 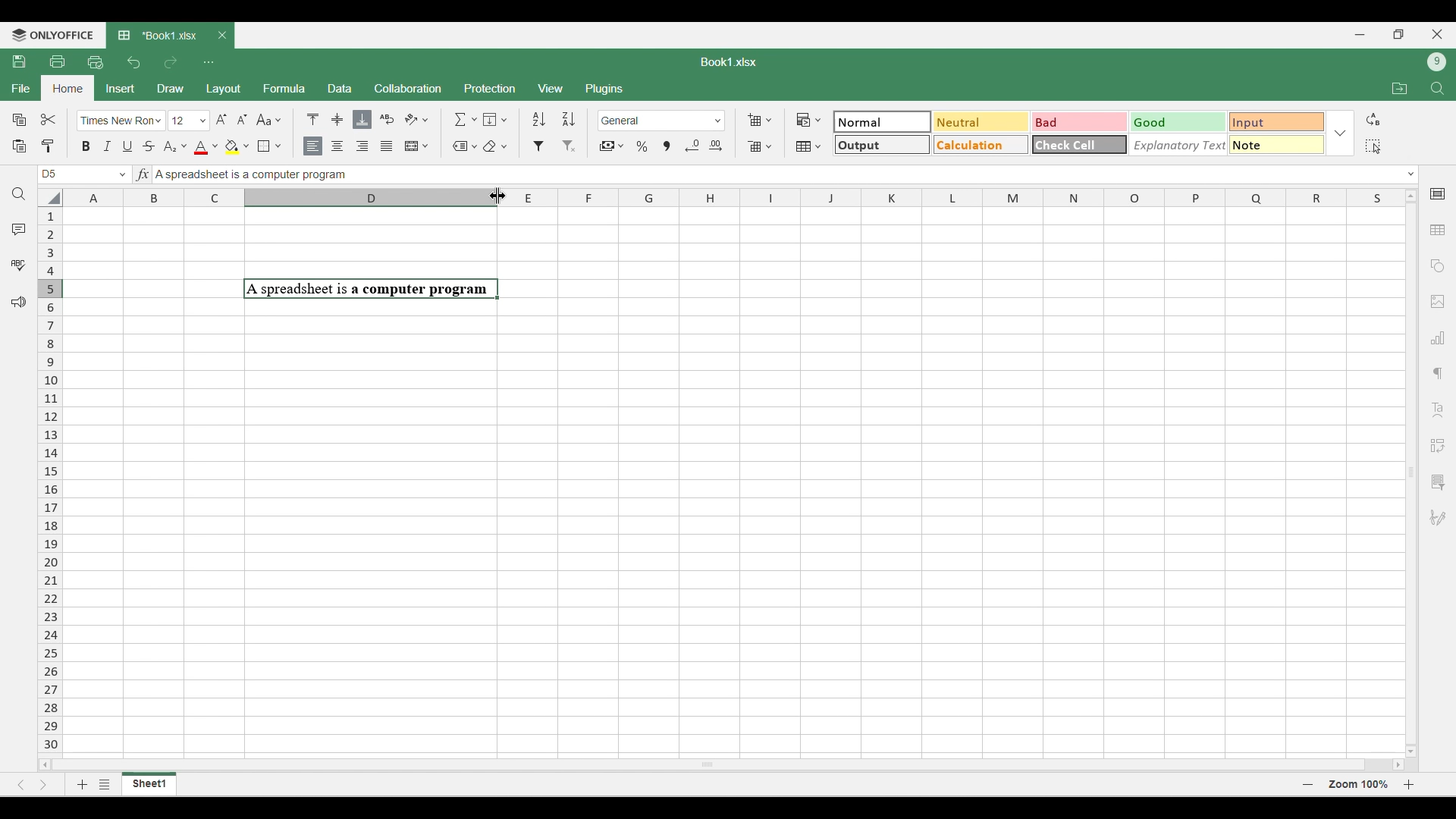 What do you see at coordinates (552, 89) in the screenshot?
I see `View menu` at bounding box center [552, 89].